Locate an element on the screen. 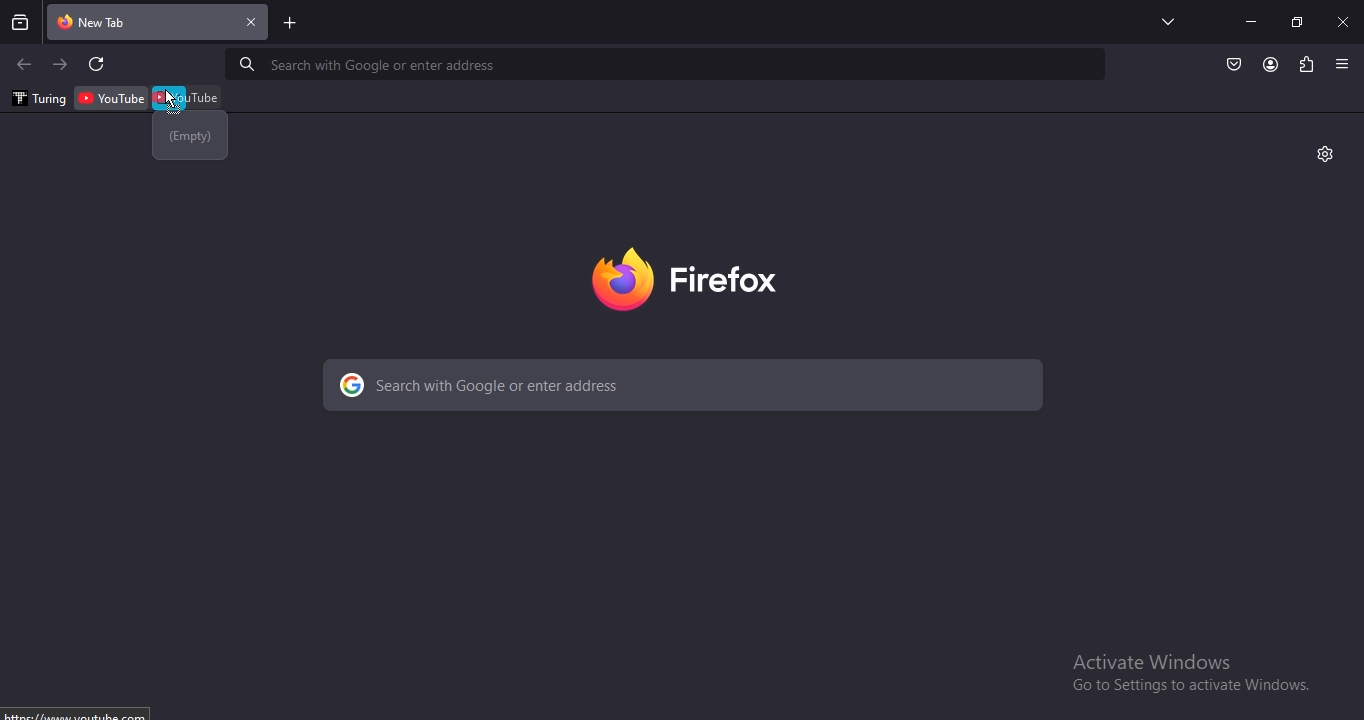 This screenshot has width=1364, height=720. search all recent and current tabs is located at coordinates (22, 24).